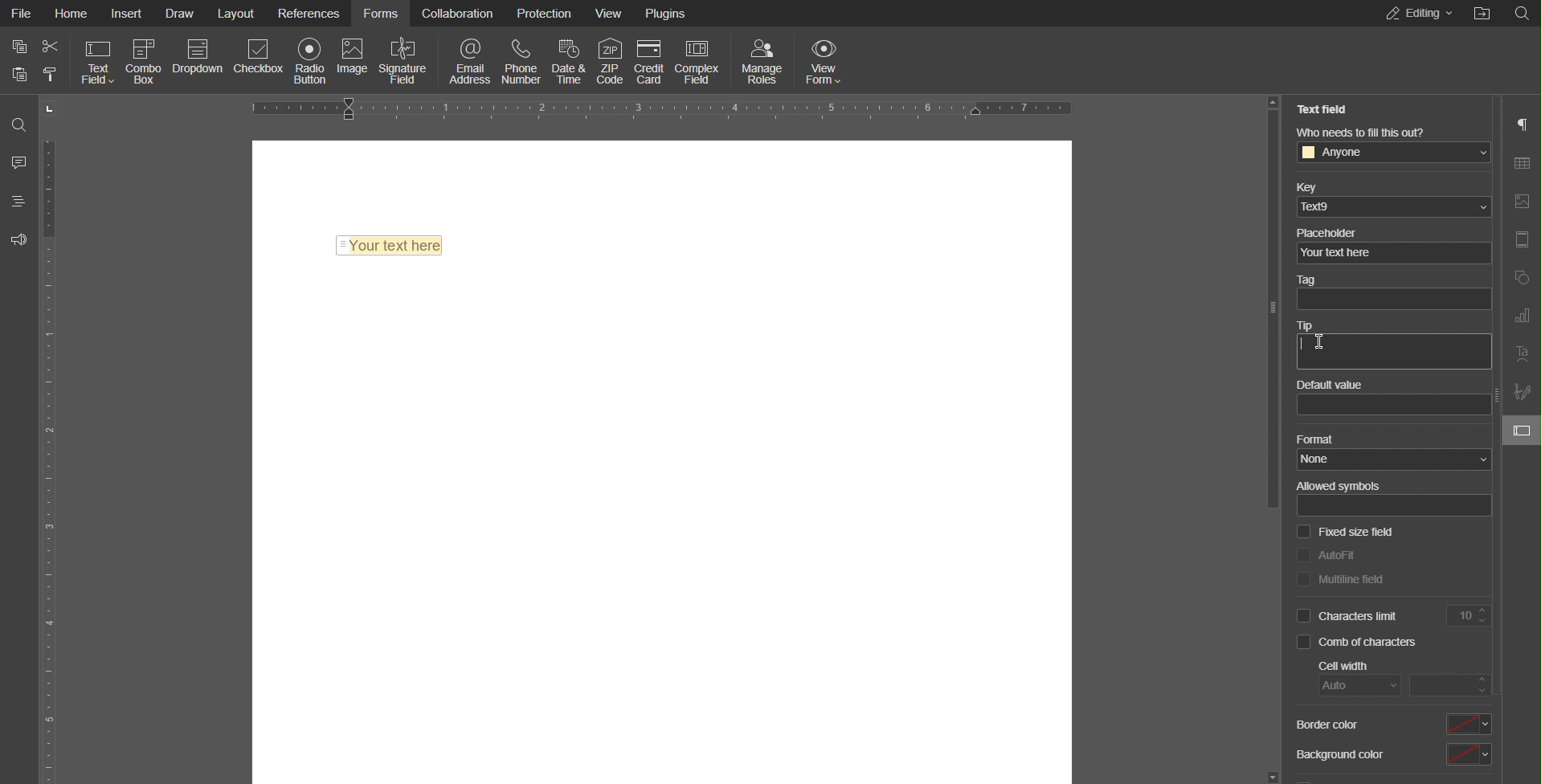 This screenshot has width=1541, height=784. I want to click on Allowed symbols, so click(1346, 484).